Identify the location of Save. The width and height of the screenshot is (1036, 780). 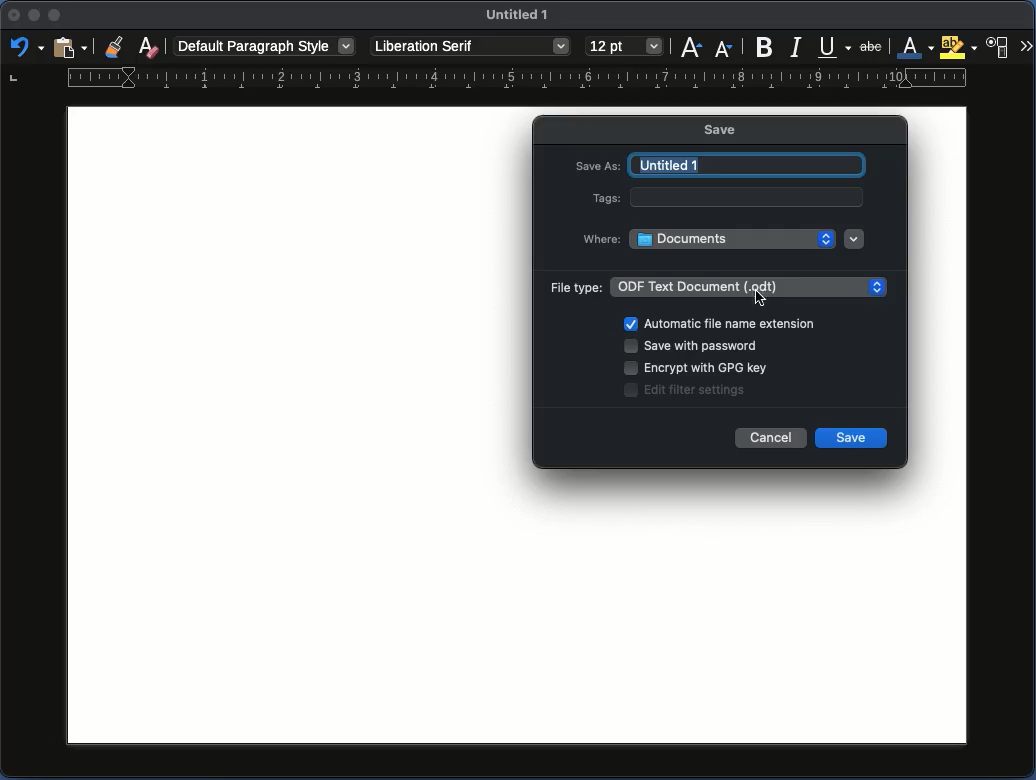
(853, 438).